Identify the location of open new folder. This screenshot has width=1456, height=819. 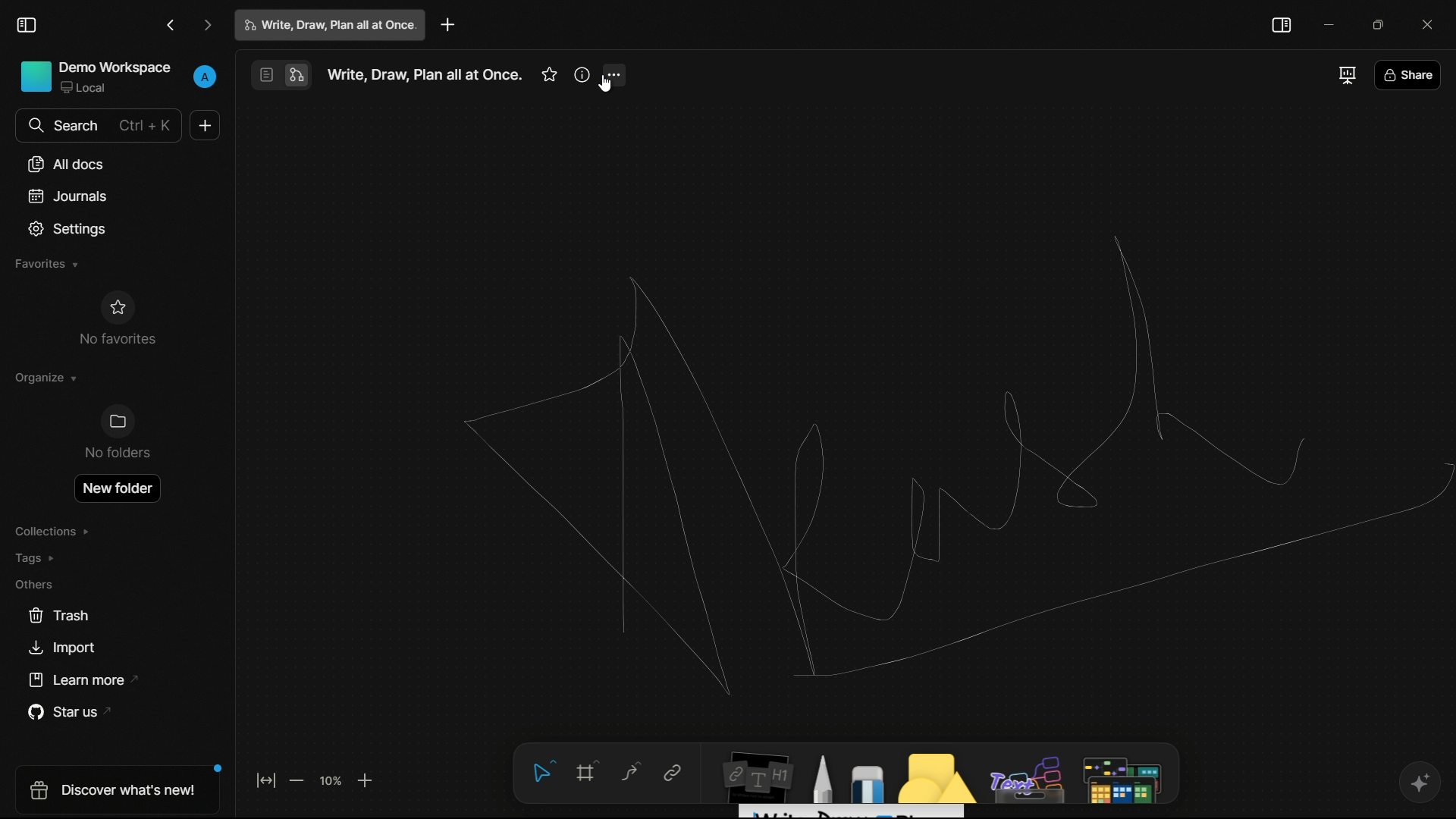
(115, 489).